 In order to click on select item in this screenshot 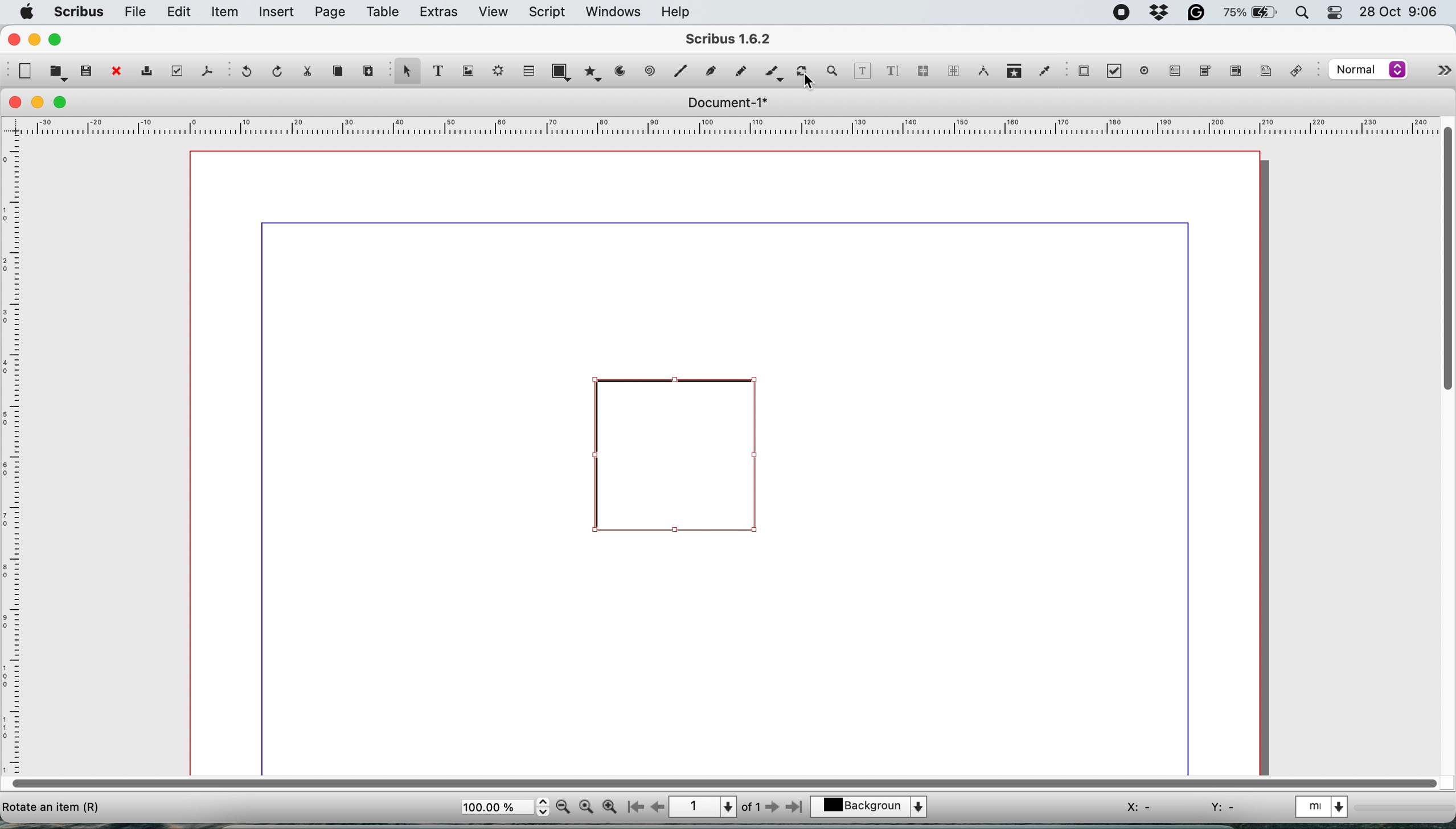, I will do `click(407, 75)`.